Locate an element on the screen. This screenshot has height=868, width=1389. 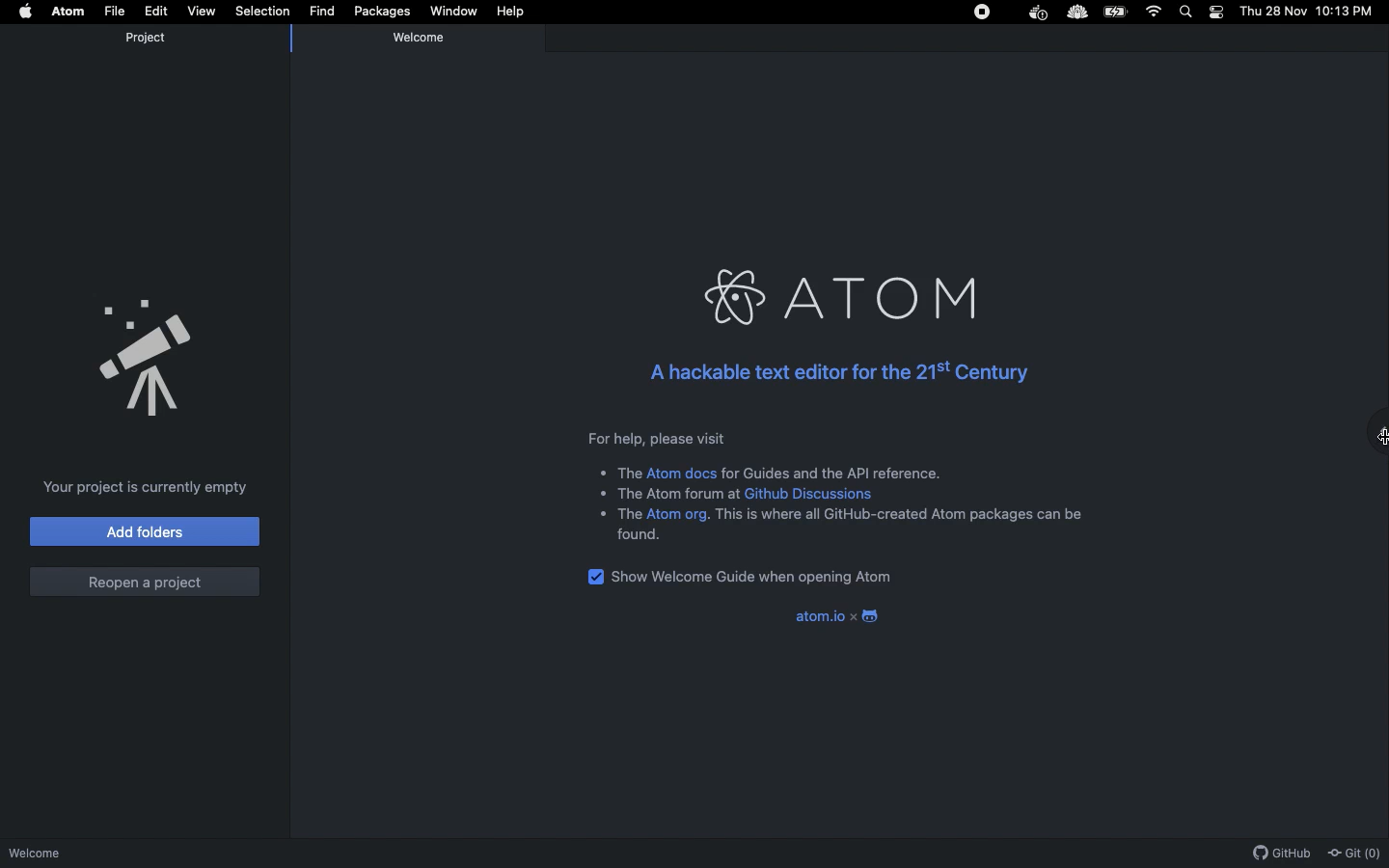
Project is located at coordinates (153, 40).